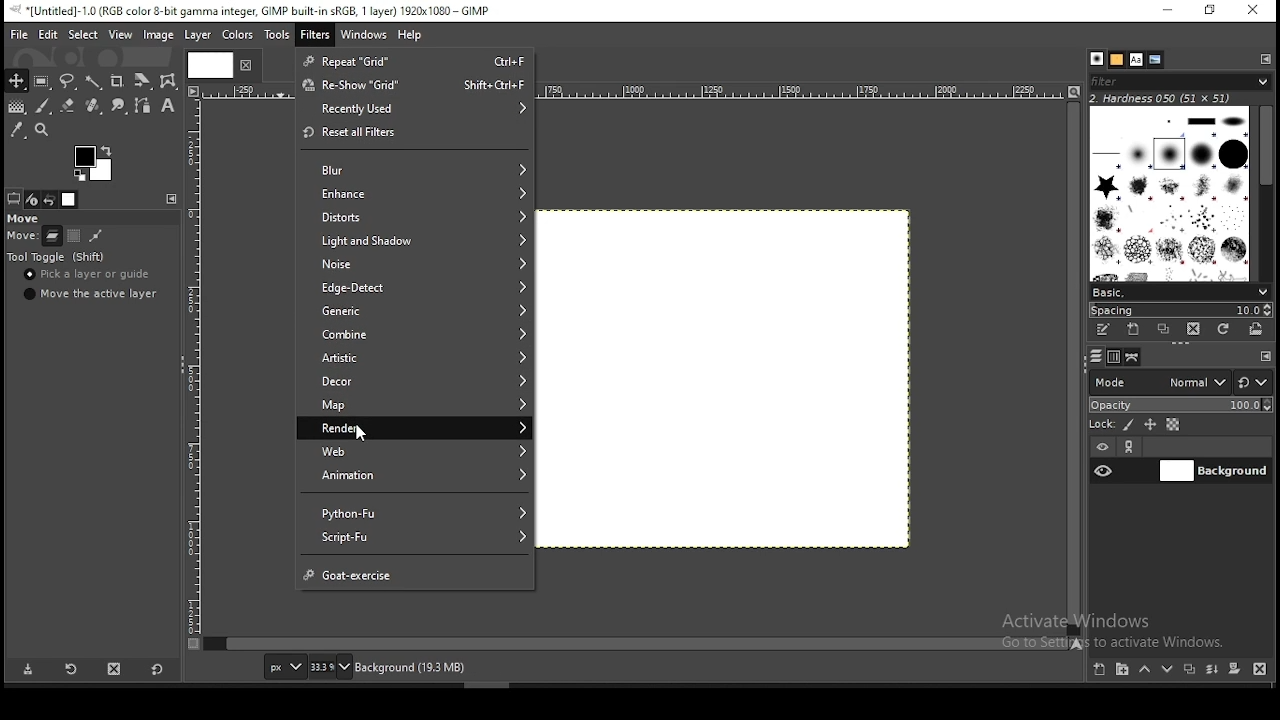 The height and width of the screenshot is (720, 1280). I want to click on duplicate brush, so click(1166, 329).